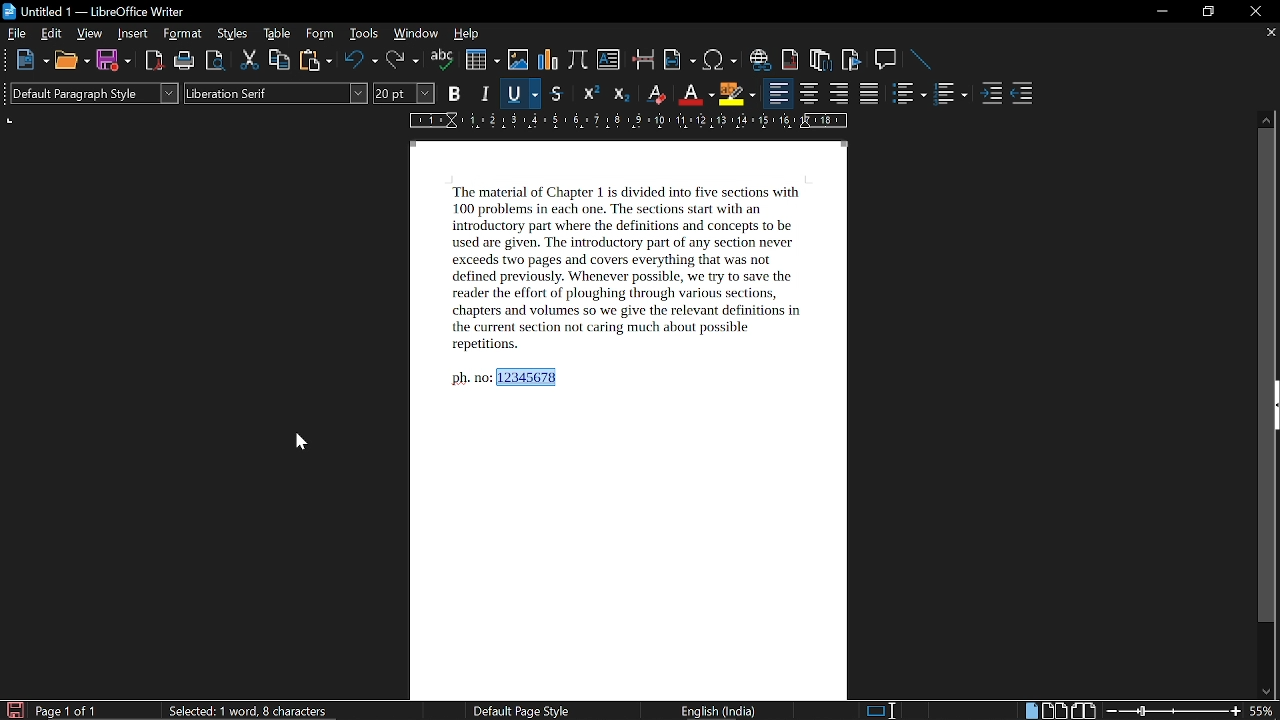  Describe the element at coordinates (1267, 690) in the screenshot. I see `move down` at that location.